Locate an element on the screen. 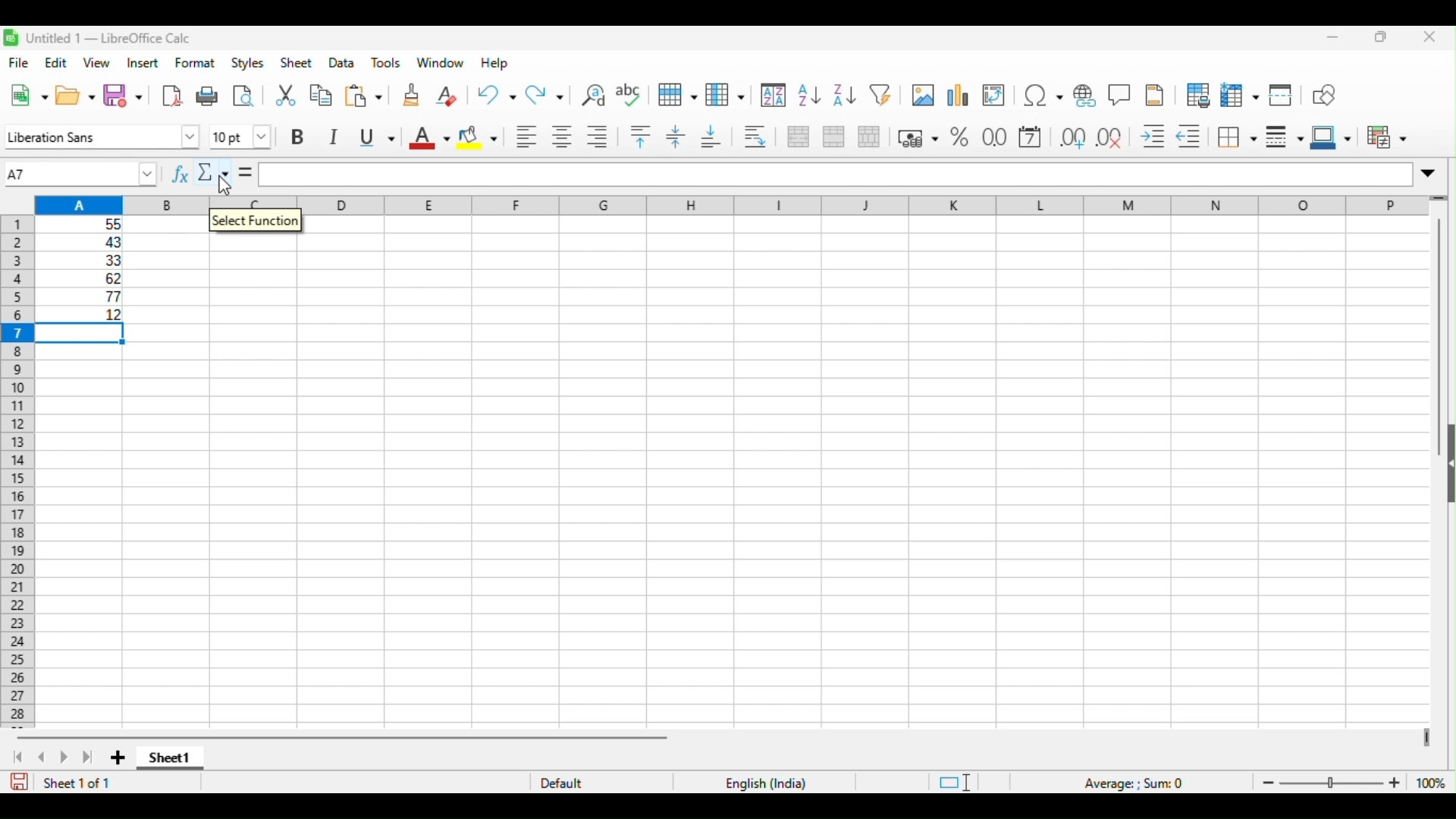 This screenshot has width=1456, height=819. export pdf is located at coordinates (170, 96).